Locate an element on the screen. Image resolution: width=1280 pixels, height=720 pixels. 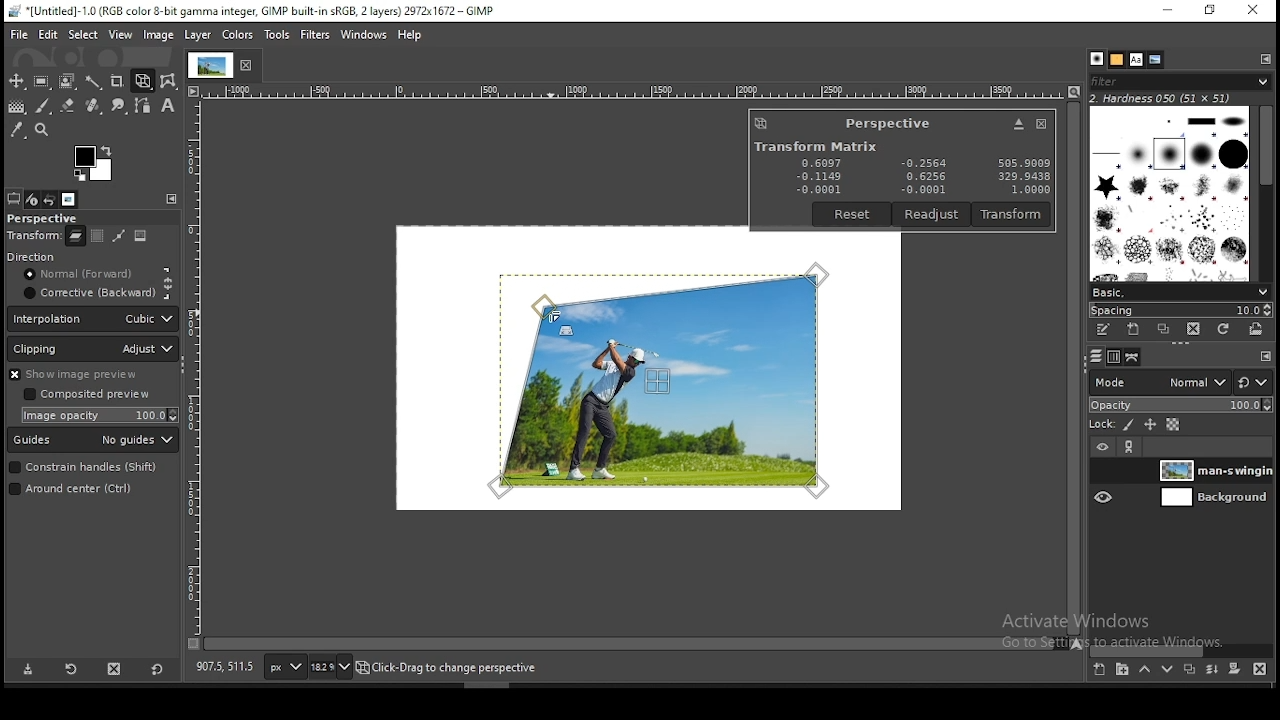
zoom status is located at coordinates (332, 666).